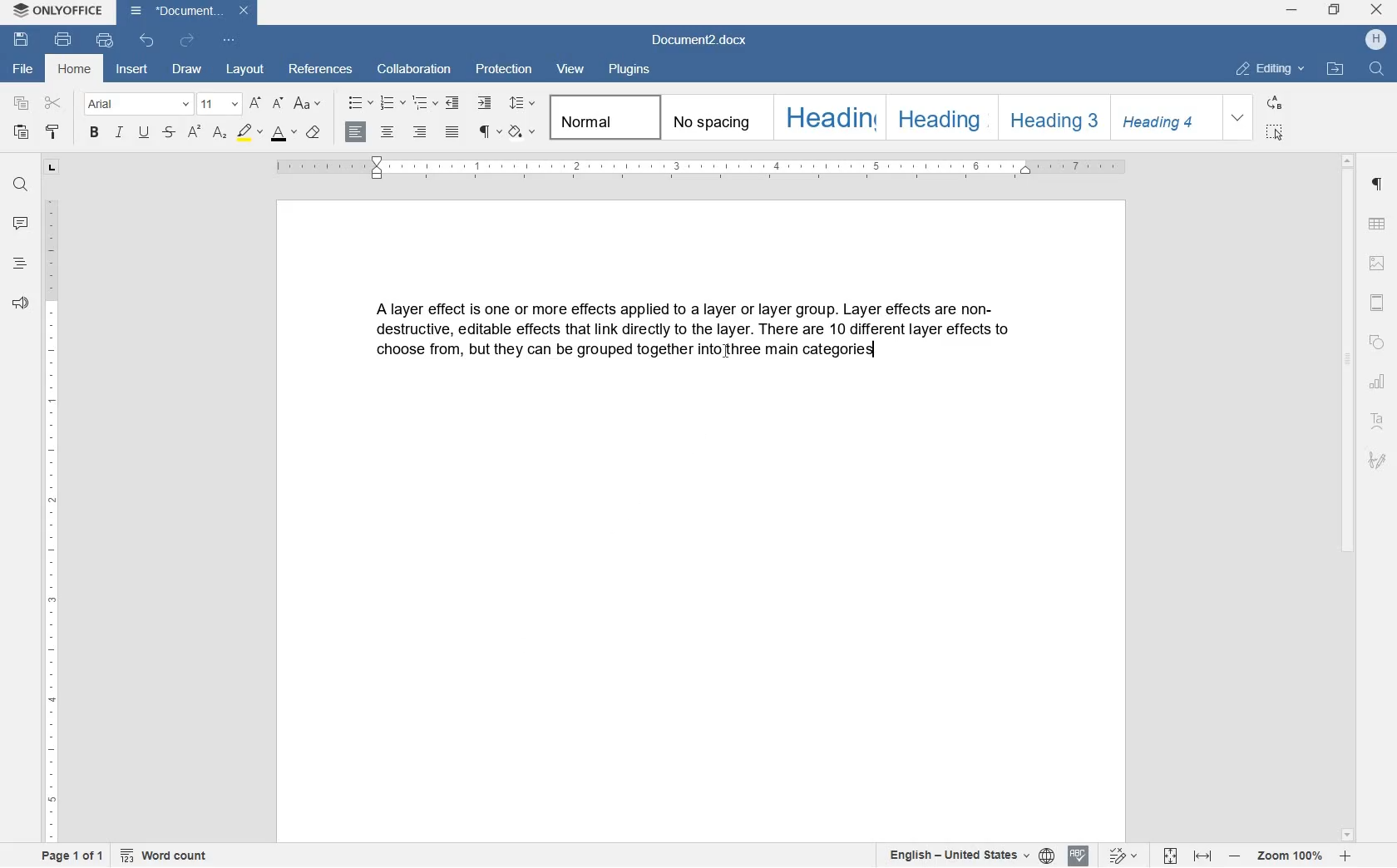  Describe the element at coordinates (1378, 461) in the screenshot. I see `signature` at that location.